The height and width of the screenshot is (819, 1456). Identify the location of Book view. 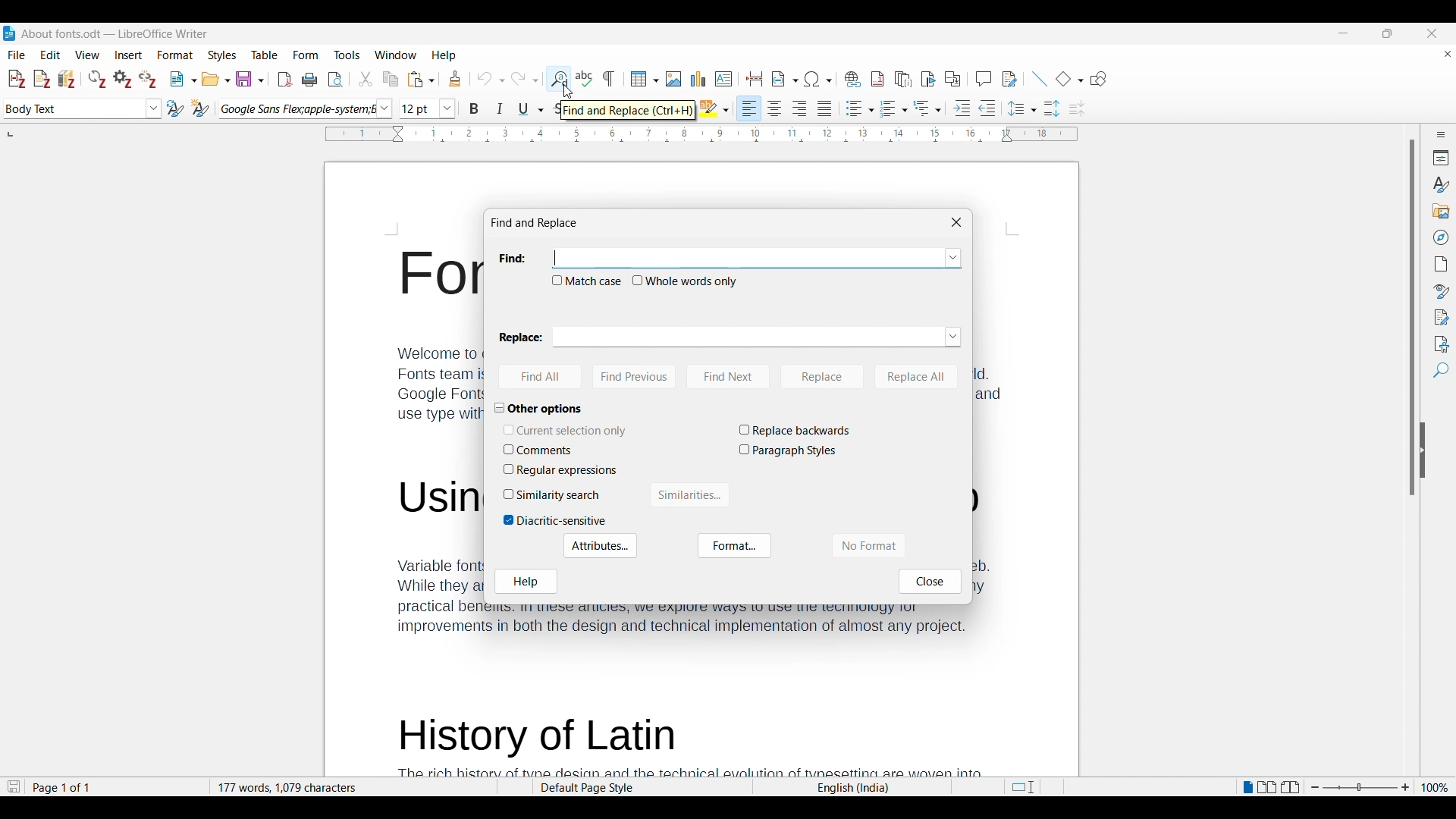
(1290, 787).